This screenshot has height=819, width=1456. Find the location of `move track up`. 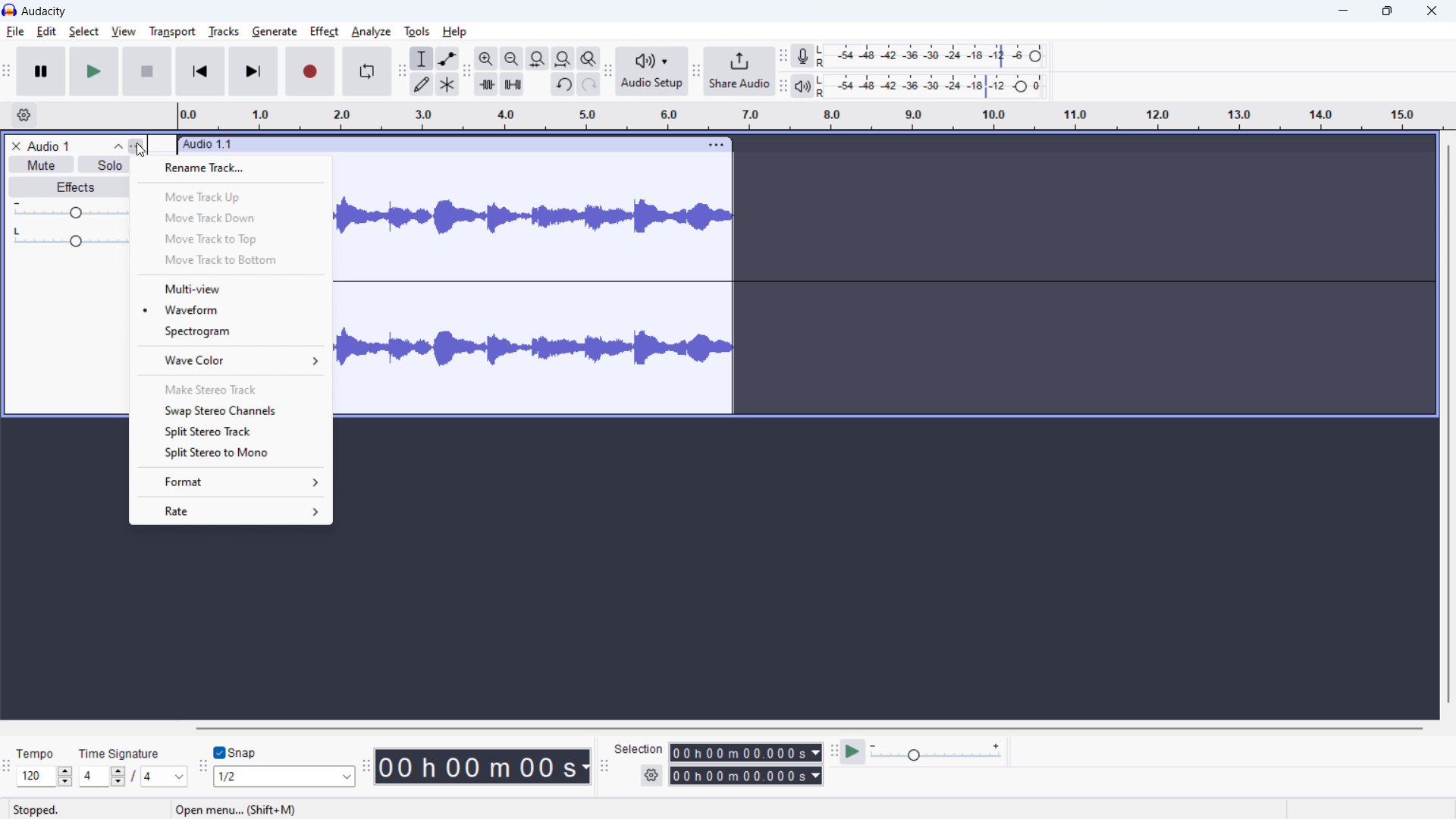

move track up is located at coordinates (232, 197).